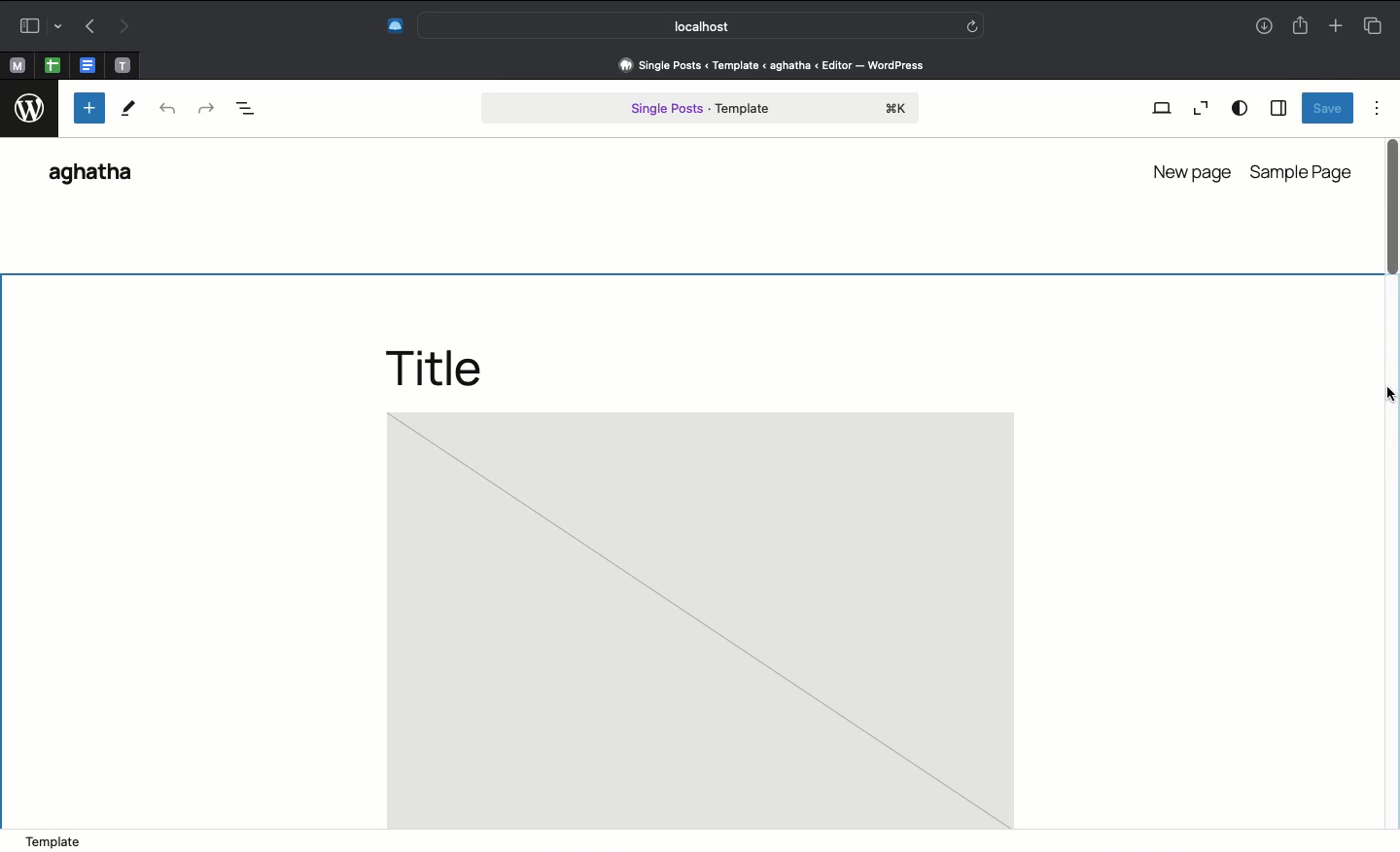 The width and height of the screenshot is (1400, 852). Describe the element at coordinates (1377, 107) in the screenshot. I see `Options` at that location.